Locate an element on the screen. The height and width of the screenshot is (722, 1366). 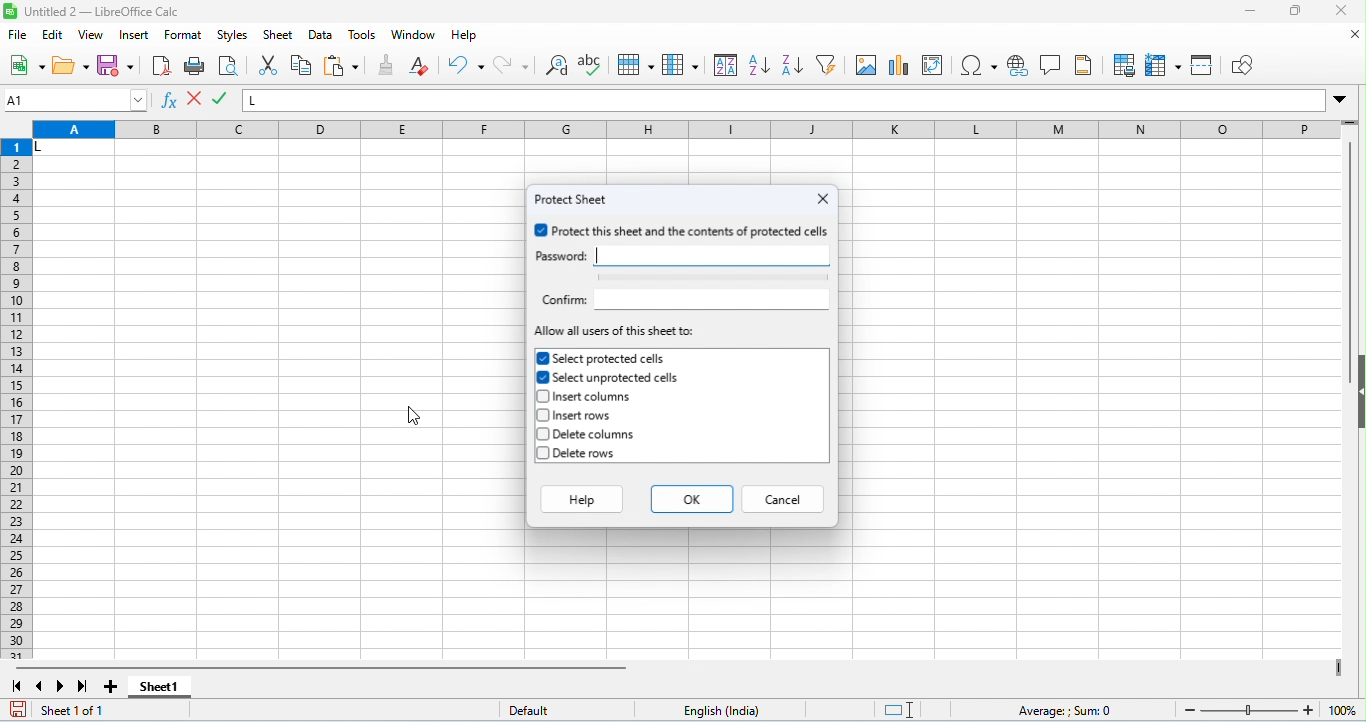
sort descending is located at coordinates (791, 65).